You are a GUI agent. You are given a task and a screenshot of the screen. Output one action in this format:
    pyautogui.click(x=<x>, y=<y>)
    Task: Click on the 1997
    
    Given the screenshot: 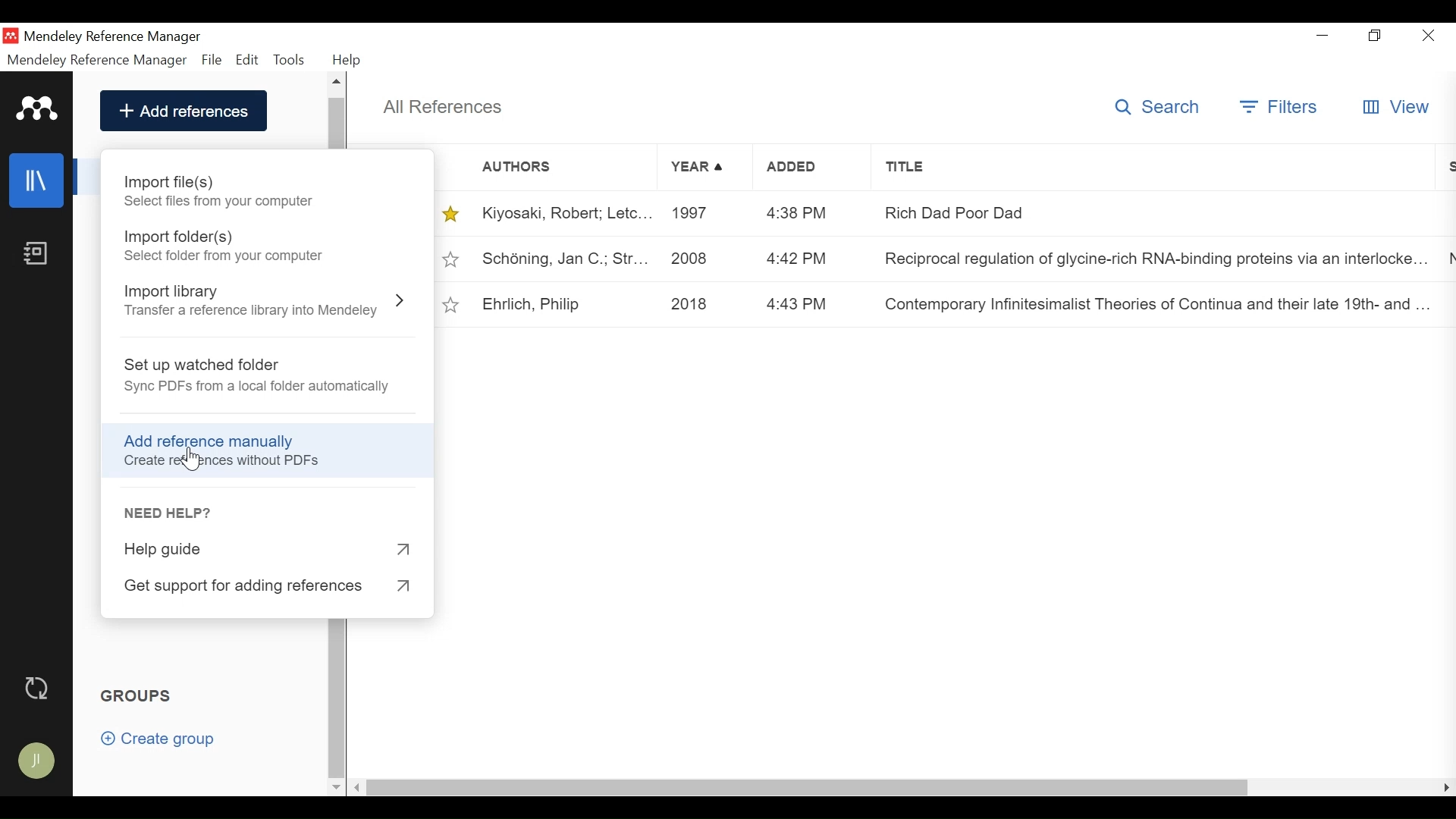 What is the action you would take?
    pyautogui.click(x=697, y=215)
    